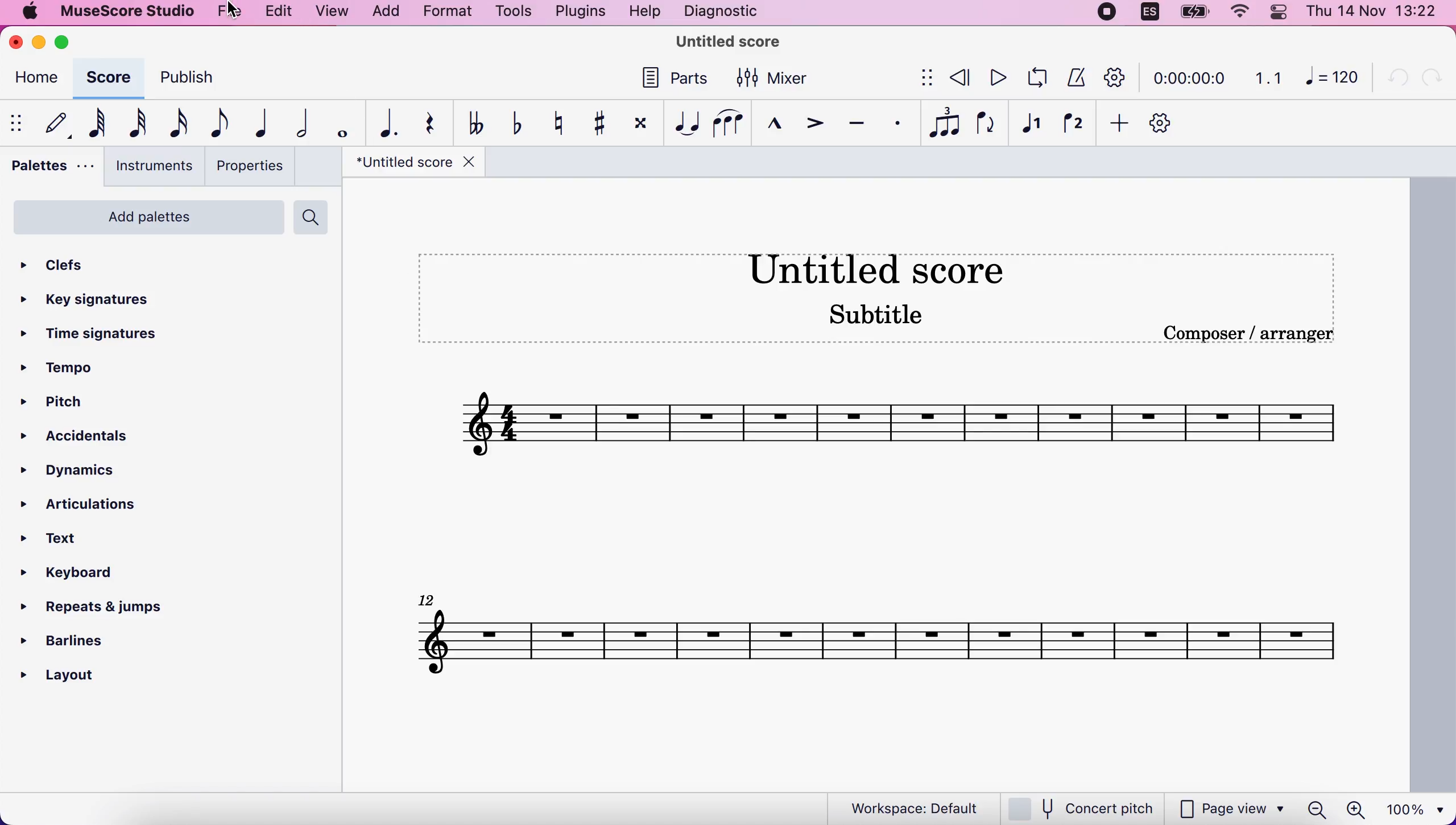  I want to click on articulations, so click(78, 505).